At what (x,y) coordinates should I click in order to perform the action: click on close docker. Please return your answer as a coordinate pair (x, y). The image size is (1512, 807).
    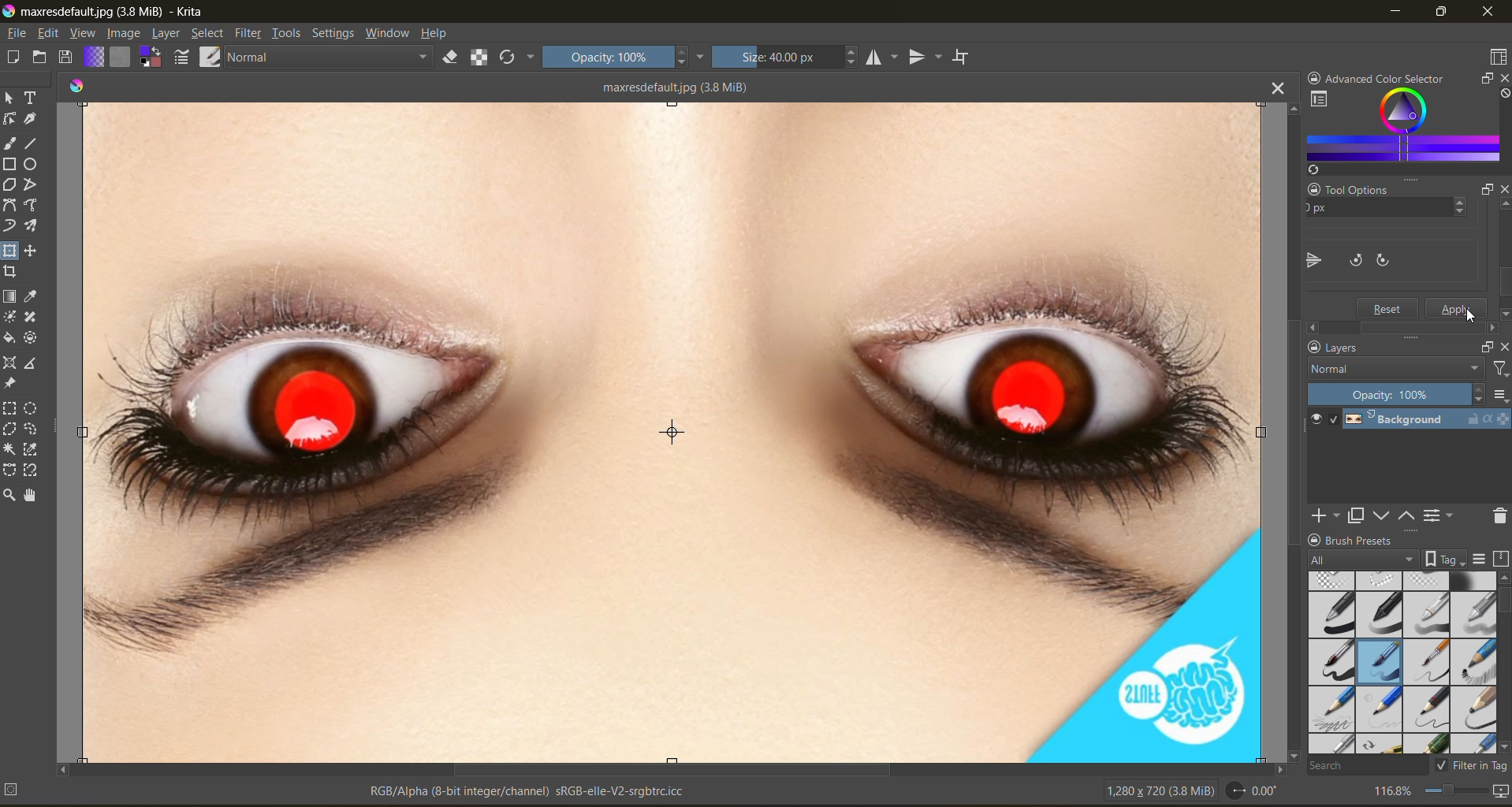
    Looking at the image, I should click on (1503, 351).